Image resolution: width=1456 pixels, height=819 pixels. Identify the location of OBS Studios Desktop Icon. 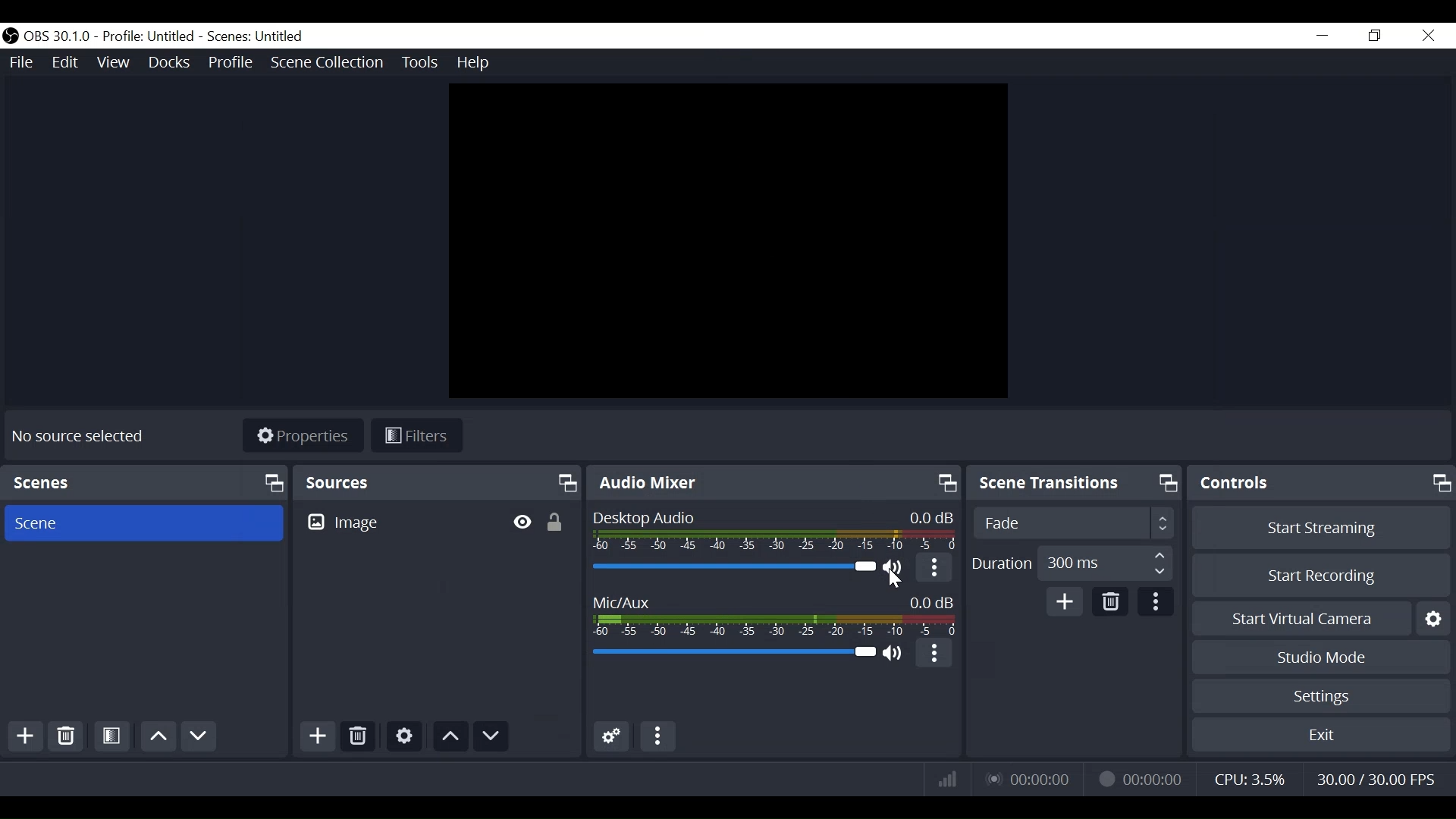
(11, 36).